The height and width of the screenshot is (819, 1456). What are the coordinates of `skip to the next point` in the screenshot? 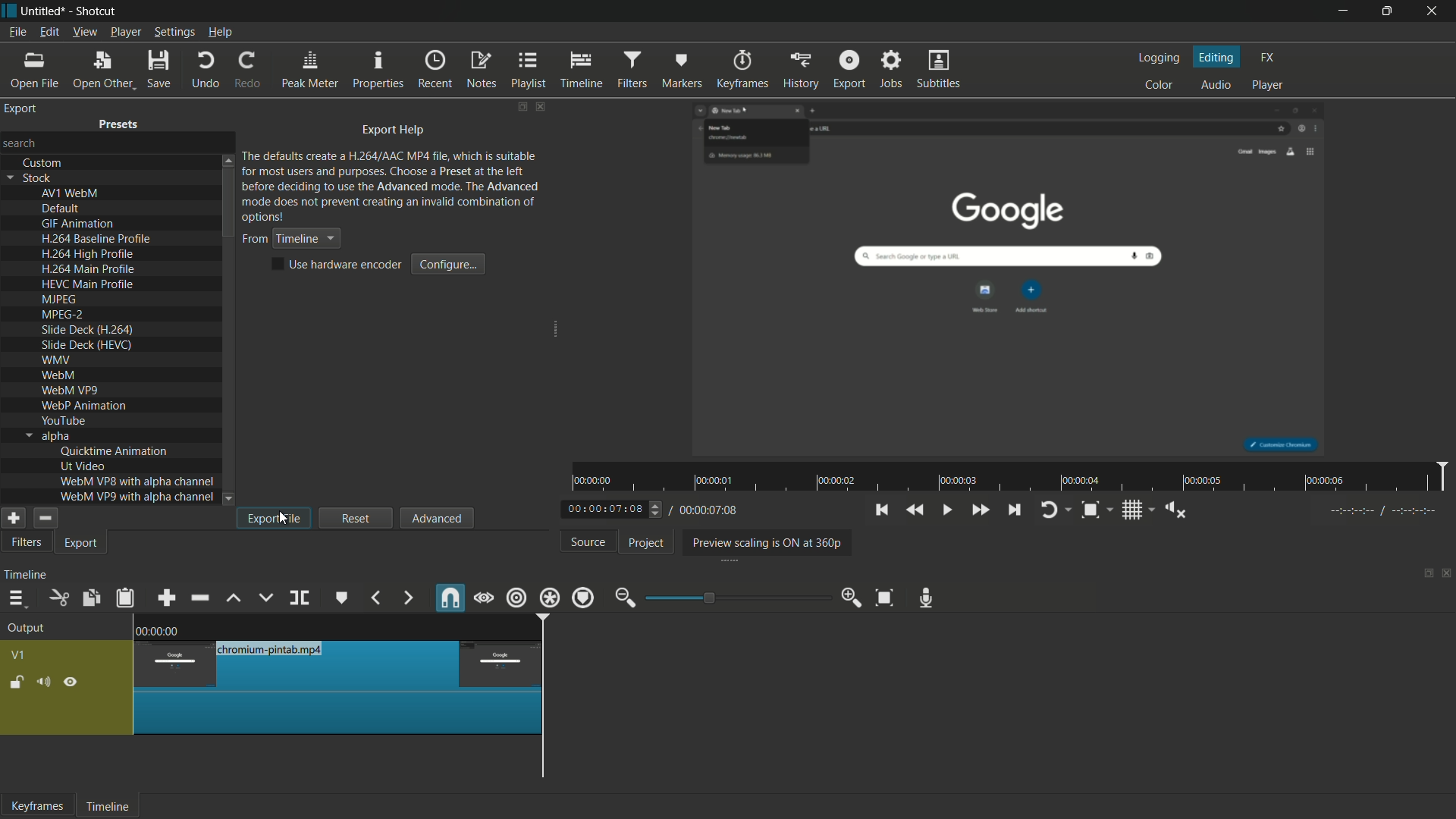 It's located at (1012, 510).